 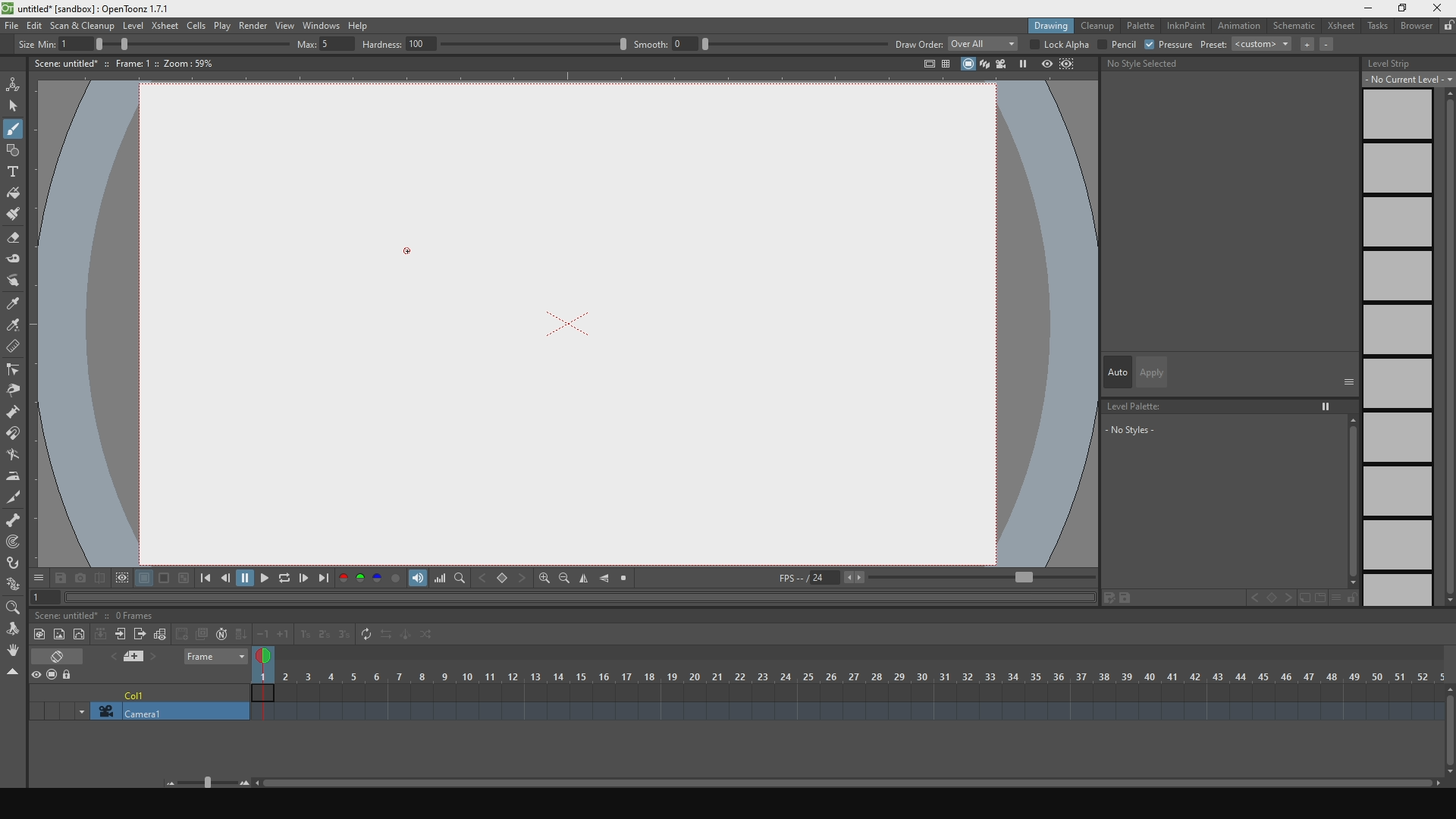 What do you see at coordinates (14, 306) in the screenshot?
I see `style select` at bounding box center [14, 306].